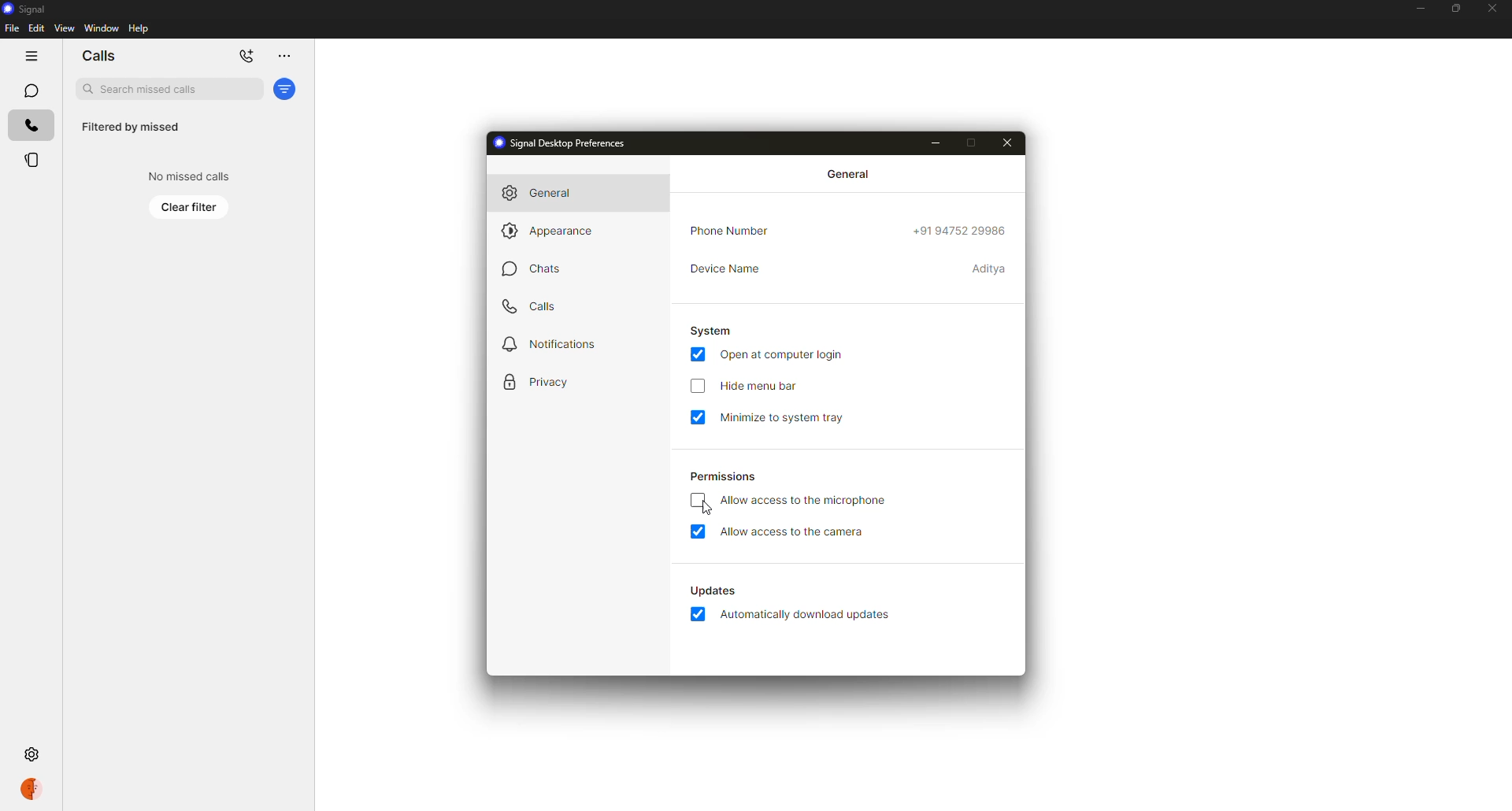 This screenshot has width=1512, height=811. What do you see at coordinates (34, 753) in the screenshot?
I see `settings` at bounding box center [34, 753].